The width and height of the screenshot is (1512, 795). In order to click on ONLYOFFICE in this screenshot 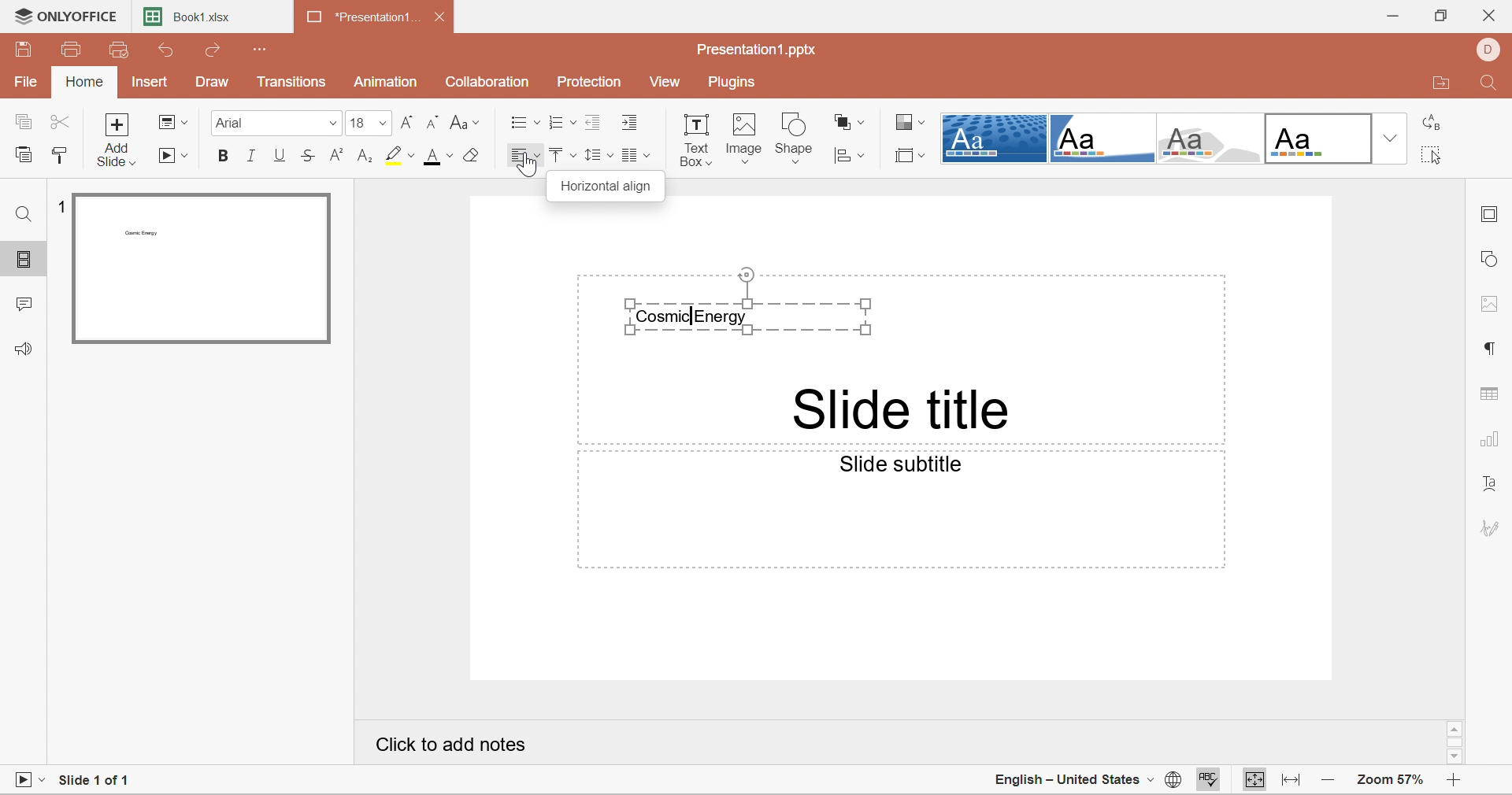, I will do `click(67, 15)`.